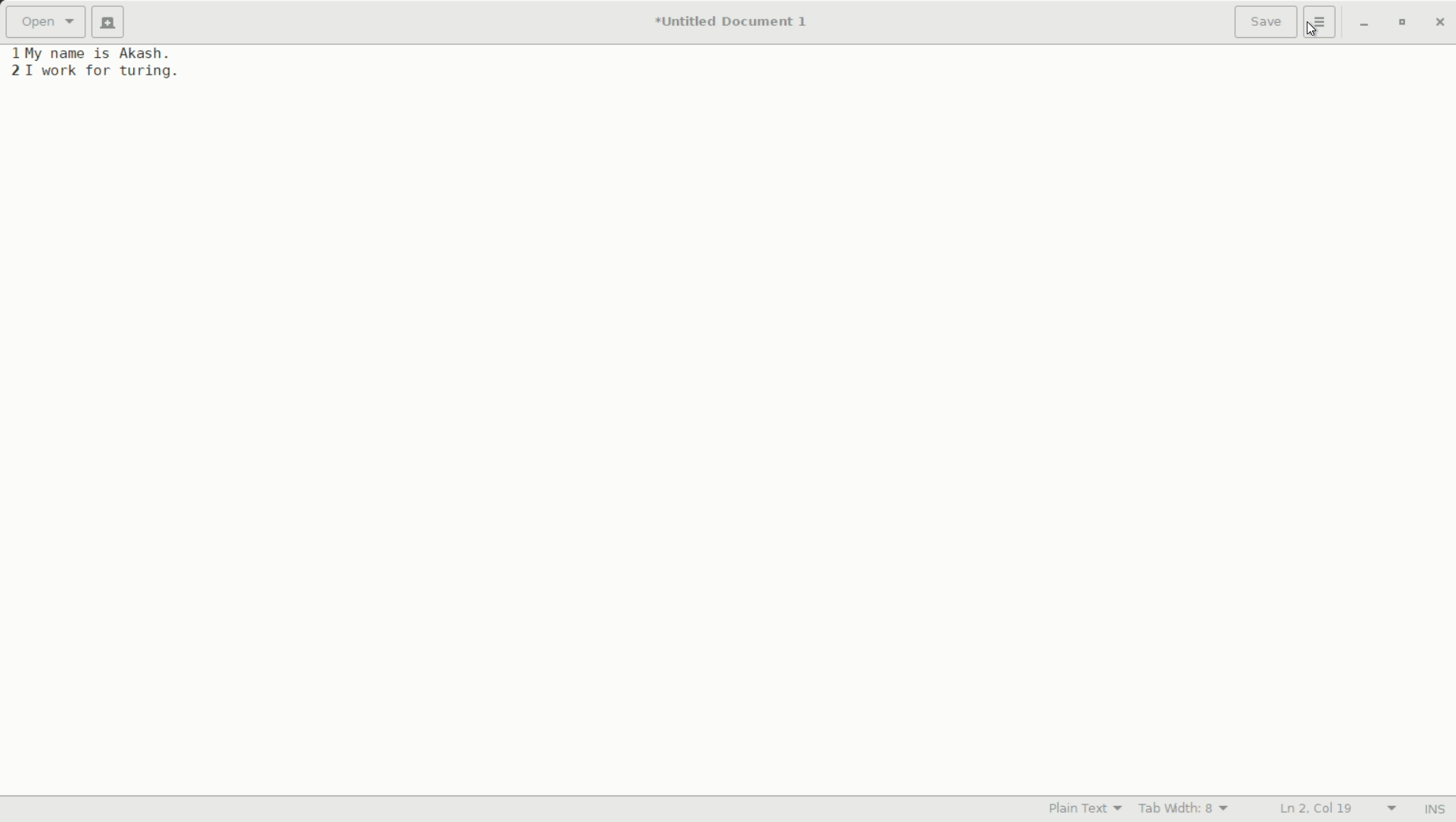 This screenshot has width=1456, height=822. Describe the element at coordinates (1339, 808) in the screenshot. I see `line and columns` at that location.